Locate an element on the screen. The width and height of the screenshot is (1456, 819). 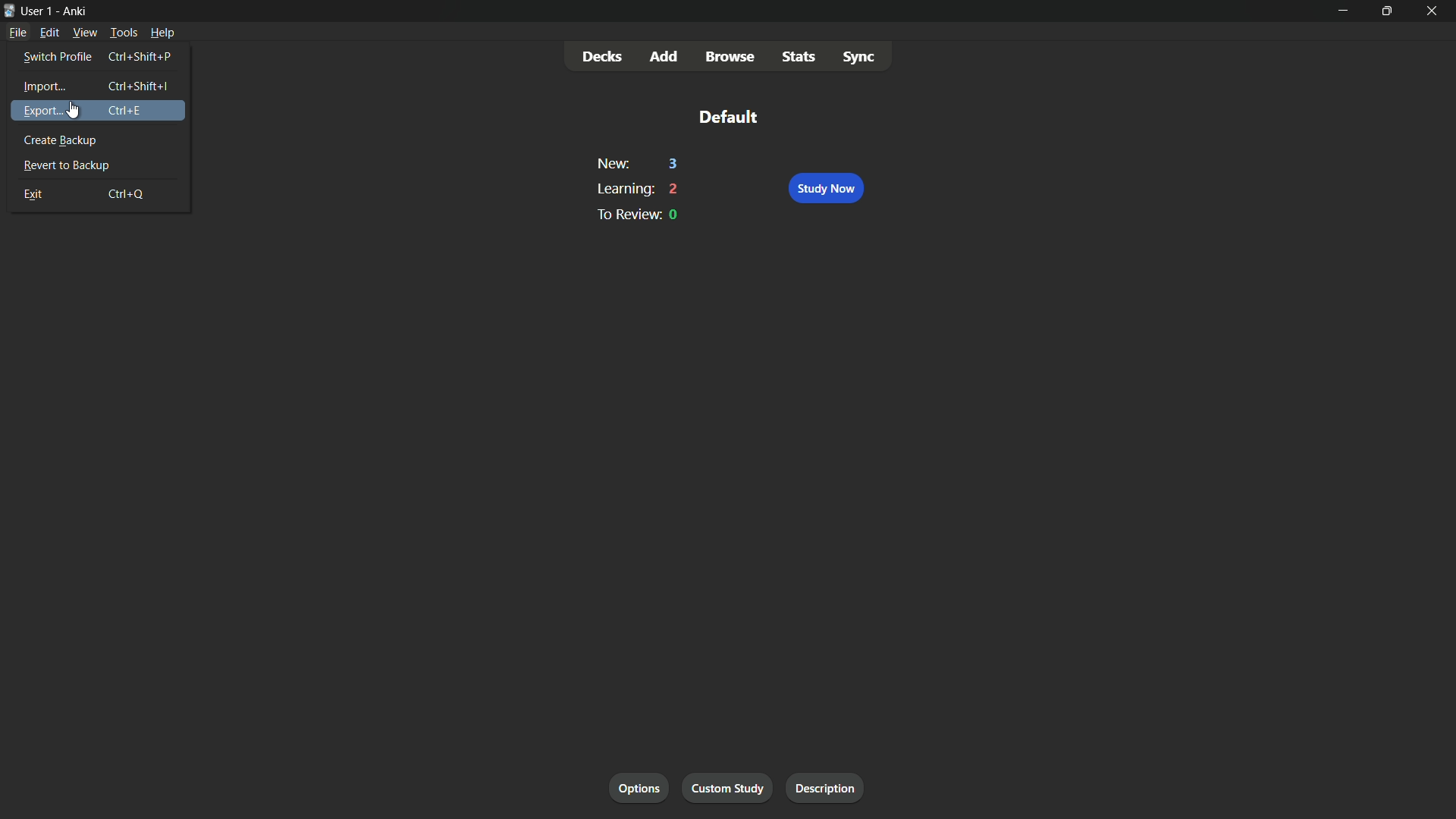
exit is located at coordinates (31, 194).